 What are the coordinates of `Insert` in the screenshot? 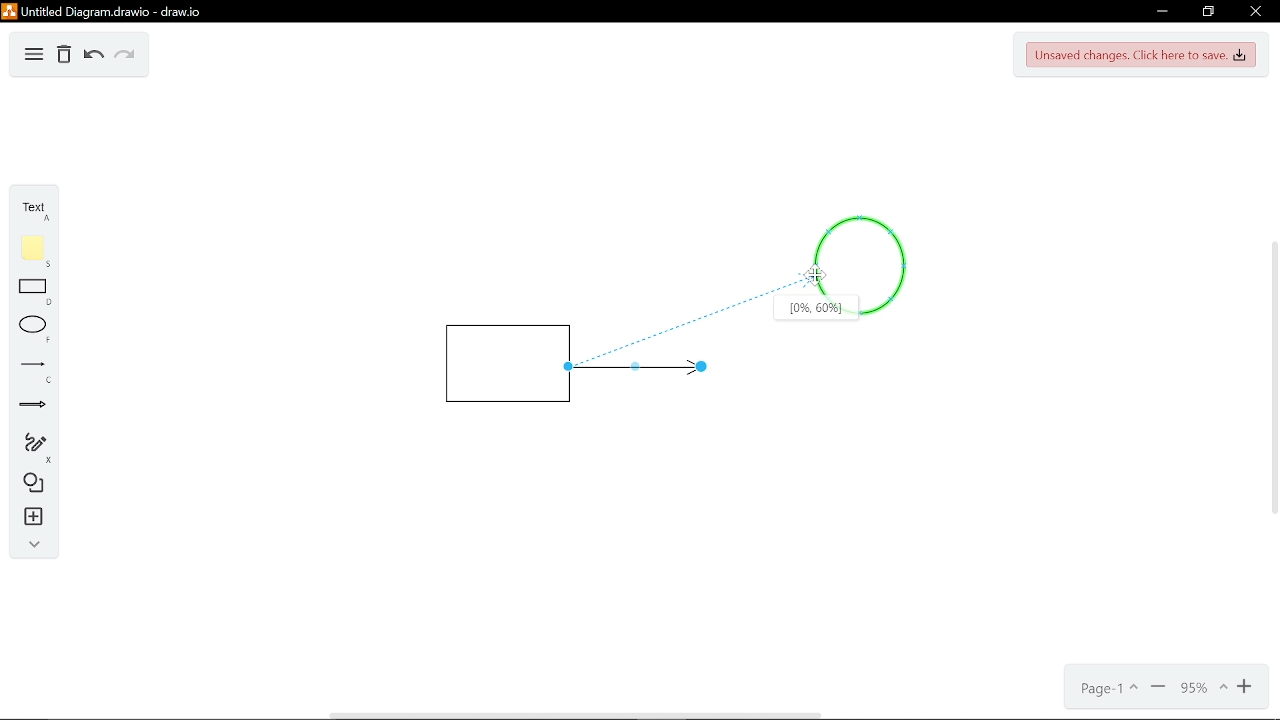 It's located at (29, 517).